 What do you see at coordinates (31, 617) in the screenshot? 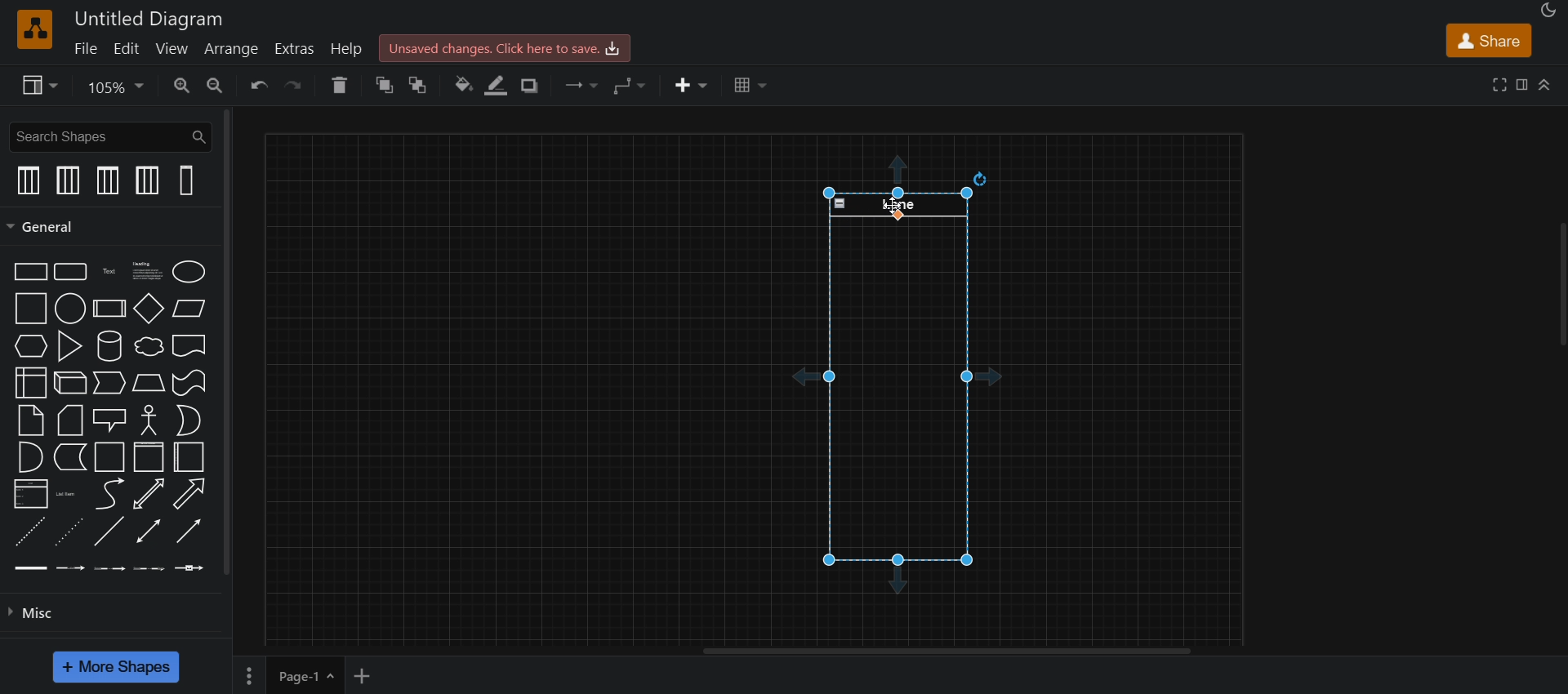
I see `misc` at bounding box center [31, 617].